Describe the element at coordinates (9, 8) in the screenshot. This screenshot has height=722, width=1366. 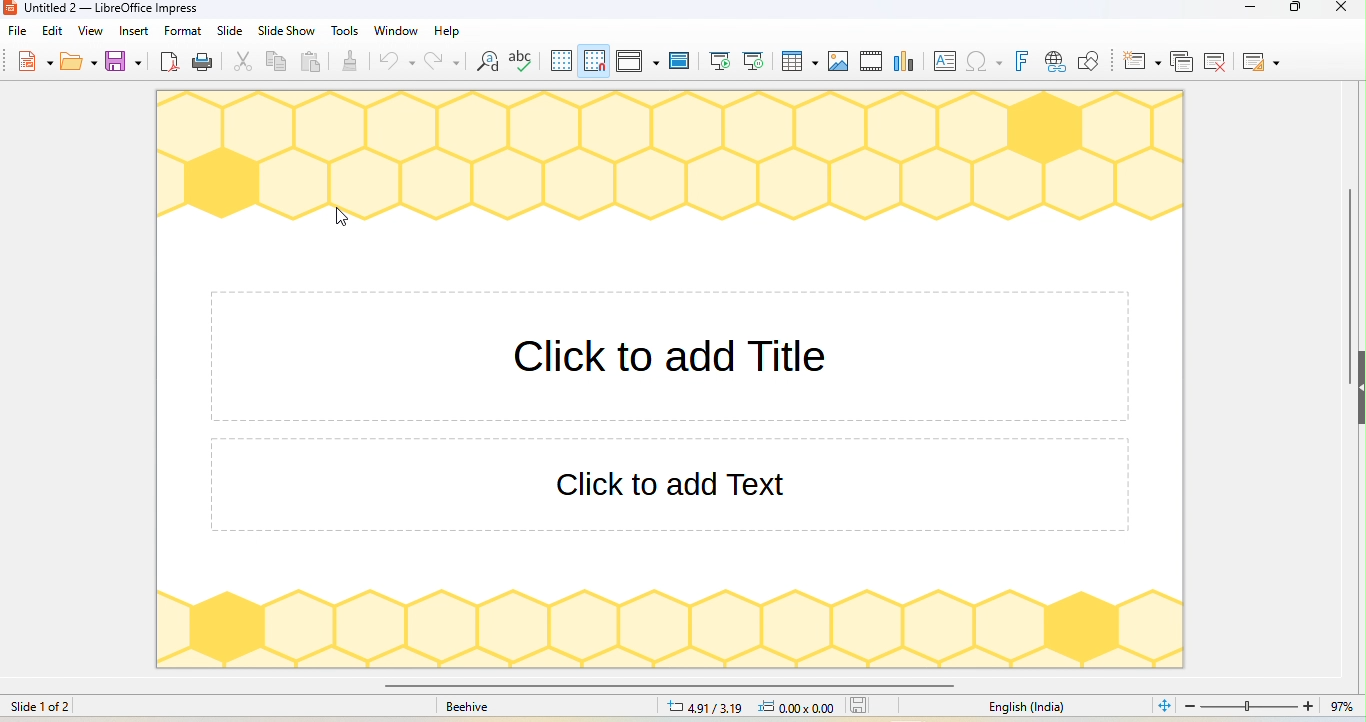
I see `Libreoffice Logo` at that location.